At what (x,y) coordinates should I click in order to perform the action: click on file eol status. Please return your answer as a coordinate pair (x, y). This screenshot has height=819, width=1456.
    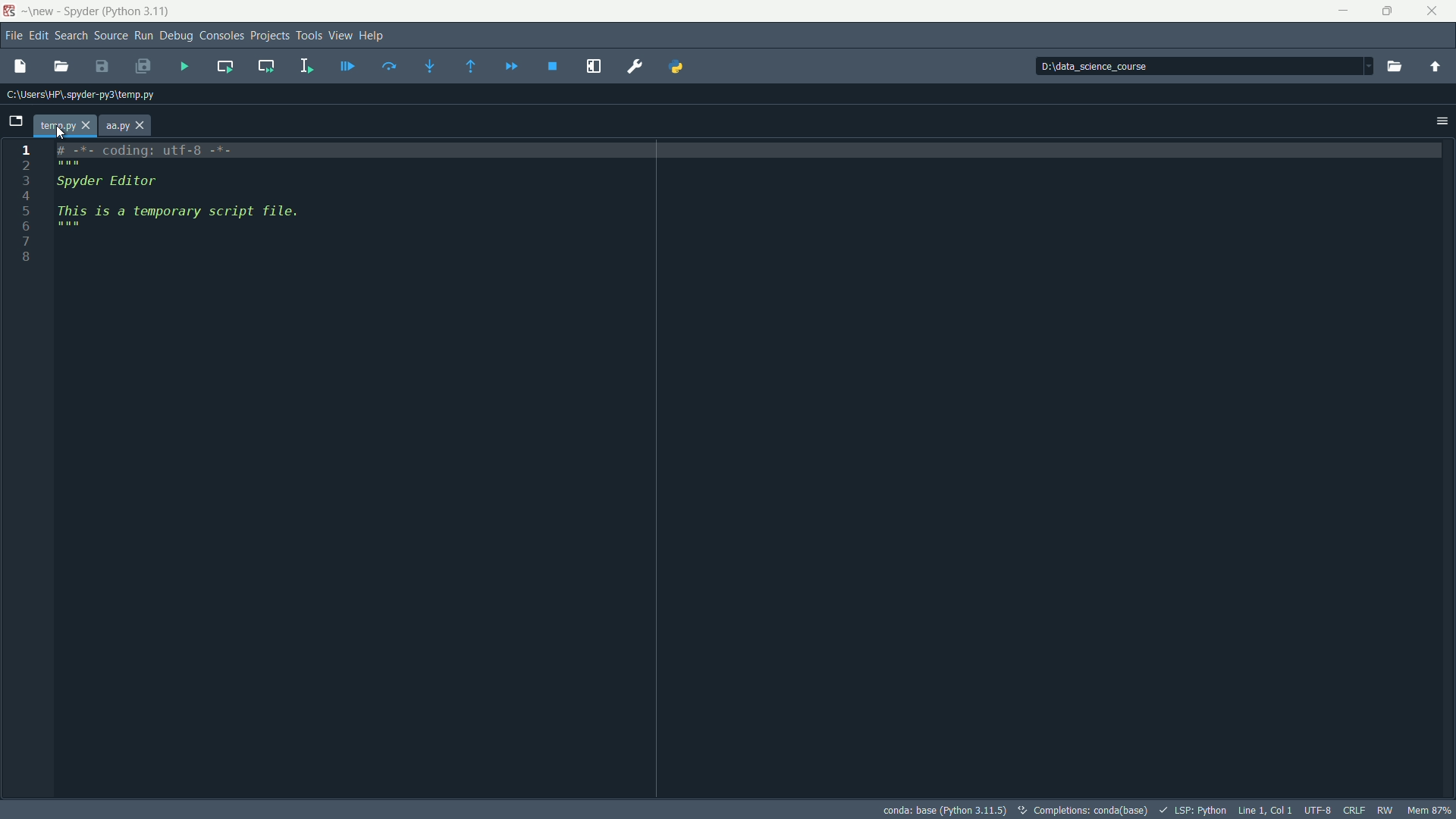
    Looking at the image, I should click on (1355, 810).